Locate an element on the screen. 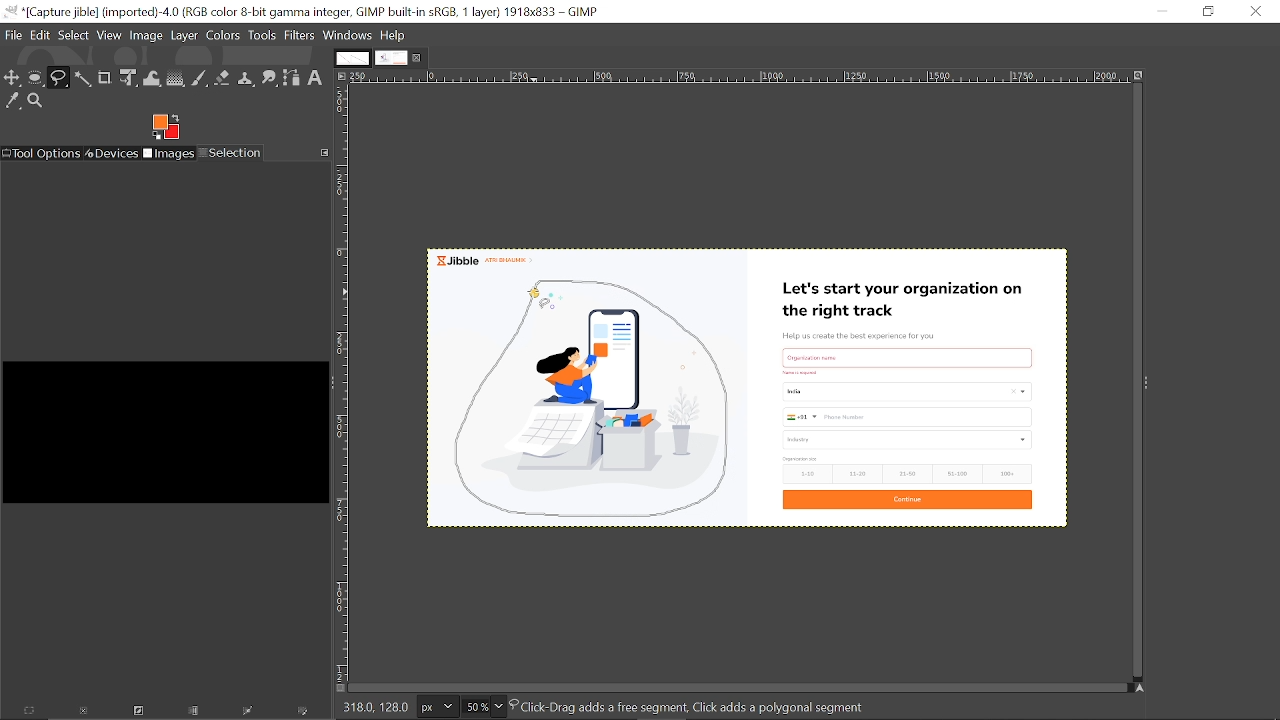 The width and height of the screenshot is (1280, 720). Horizontal label is located at coordinates (738, 78).